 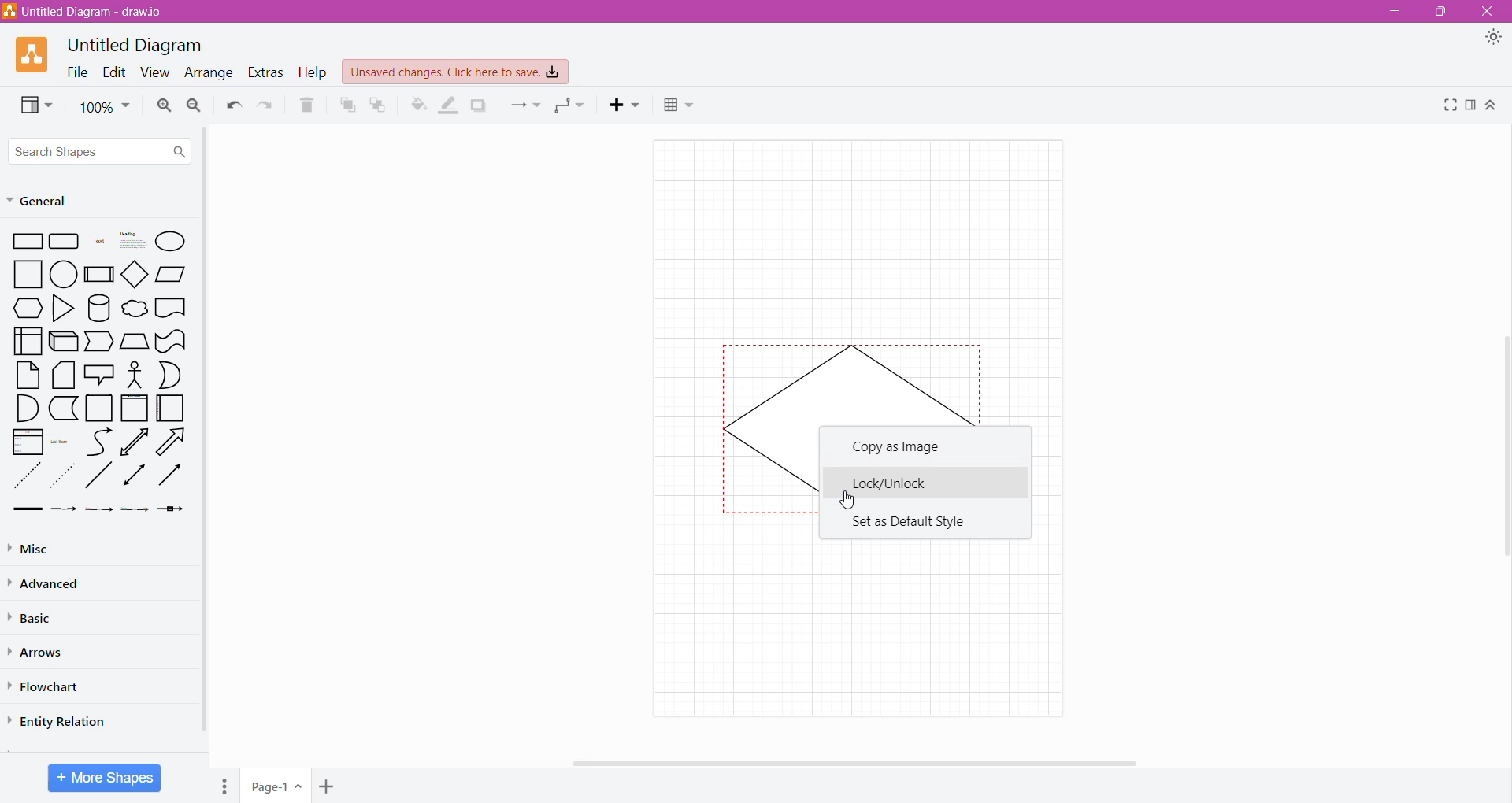 I want to click on Delete, so click(x=308, y=105).